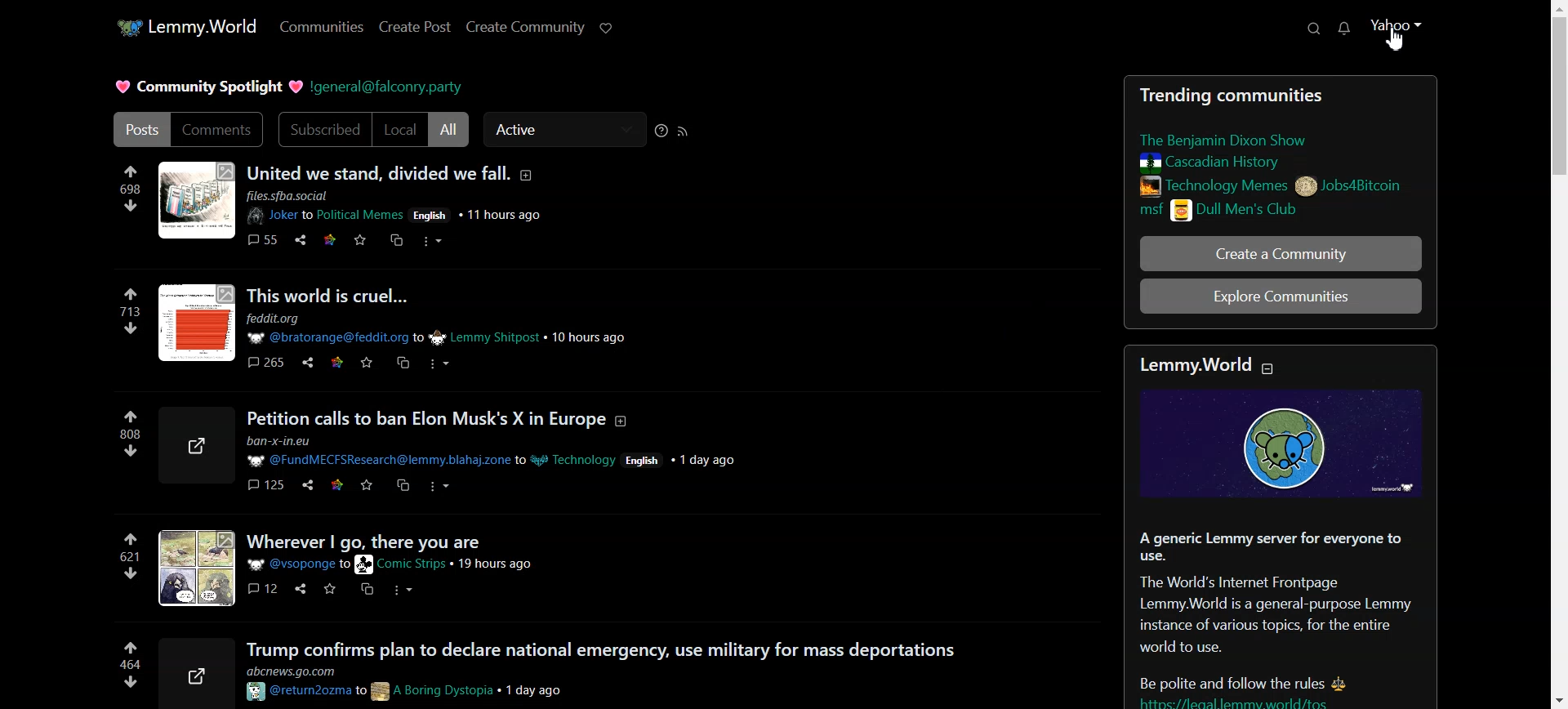 This screenshot has height=709, width=1568. Describe the element at coordinates (429, 417) in the screenshot. I see `Petition calls to ban Elon Musk’s X in Europe` at that location.